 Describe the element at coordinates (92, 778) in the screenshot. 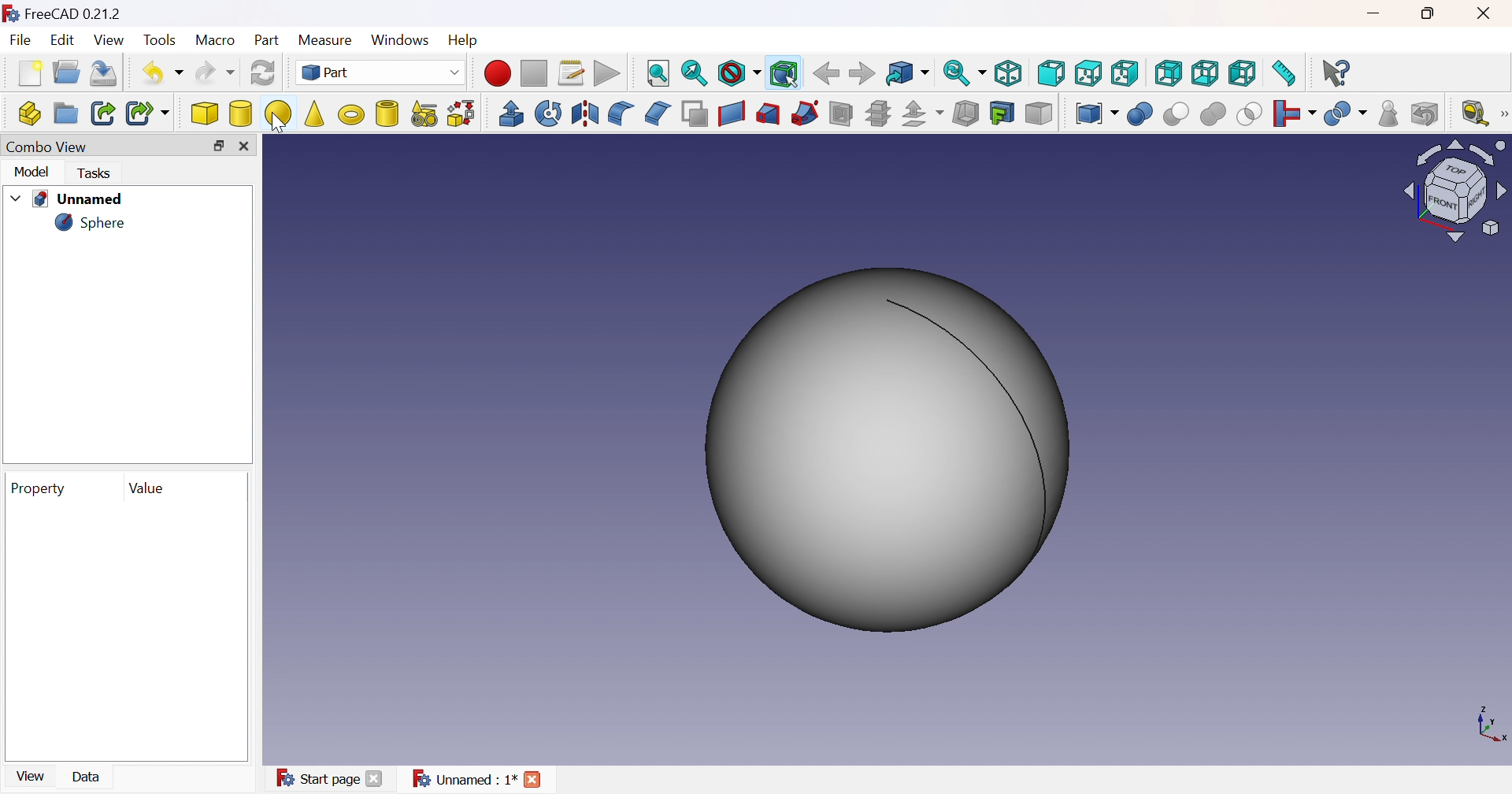

I see `Data` at that location.